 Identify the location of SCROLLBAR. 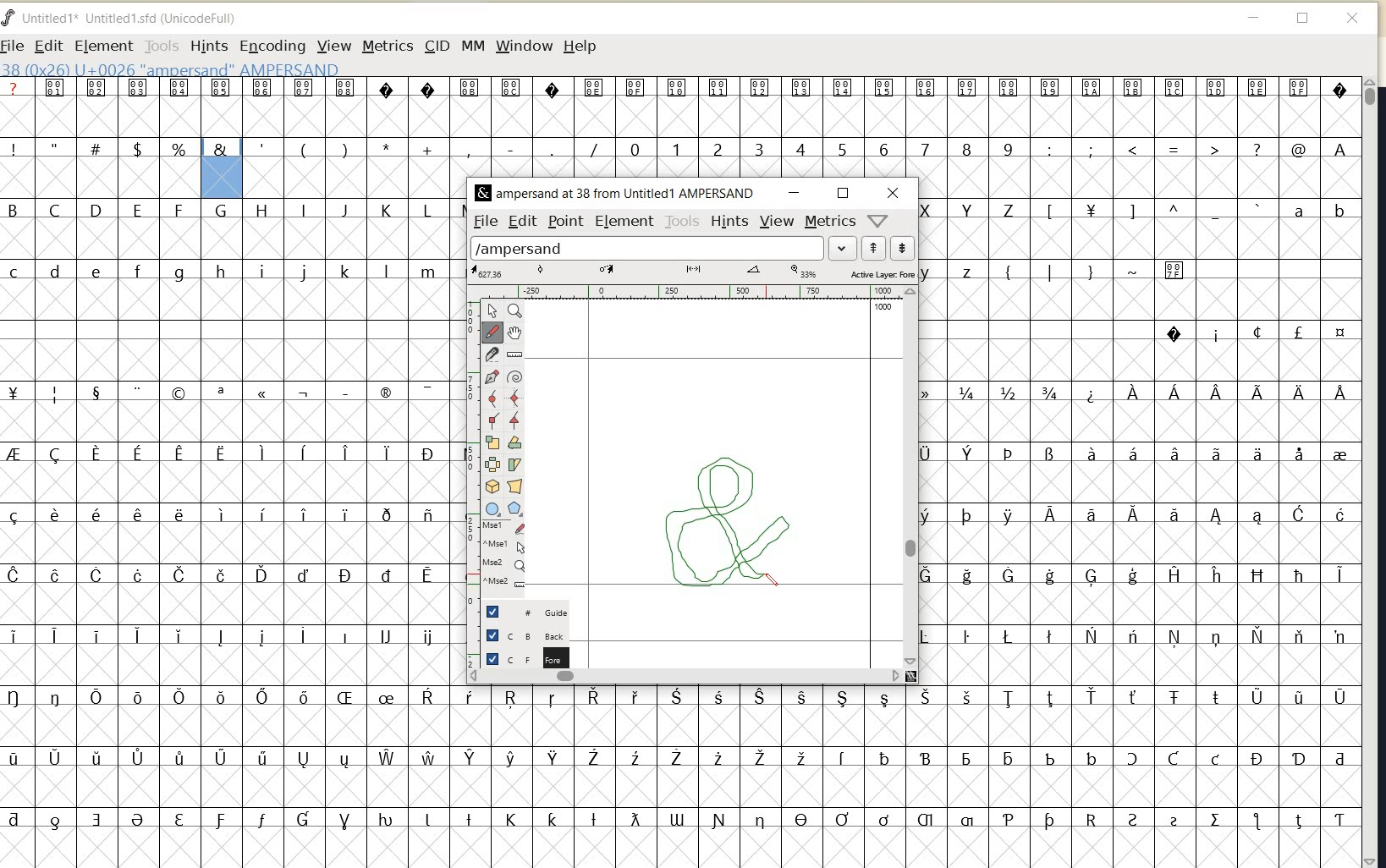
(1372, 472).